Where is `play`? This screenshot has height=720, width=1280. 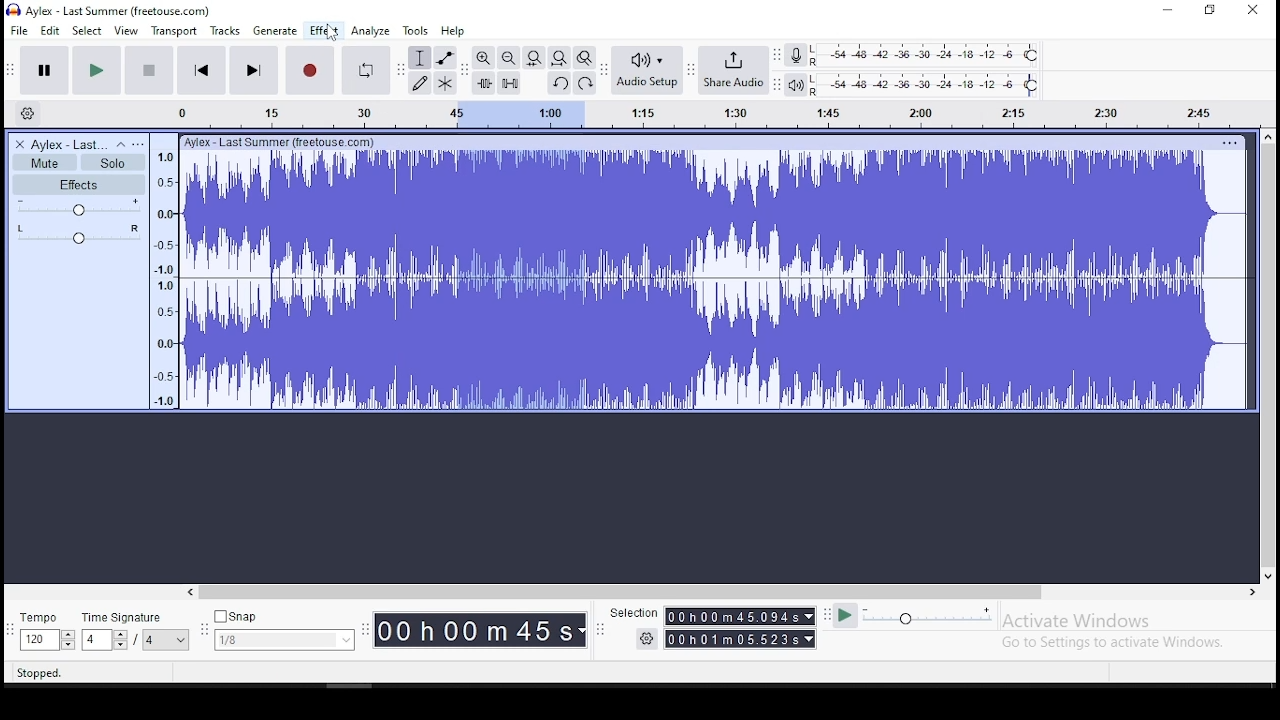
play is located at coordinates (97, 69).